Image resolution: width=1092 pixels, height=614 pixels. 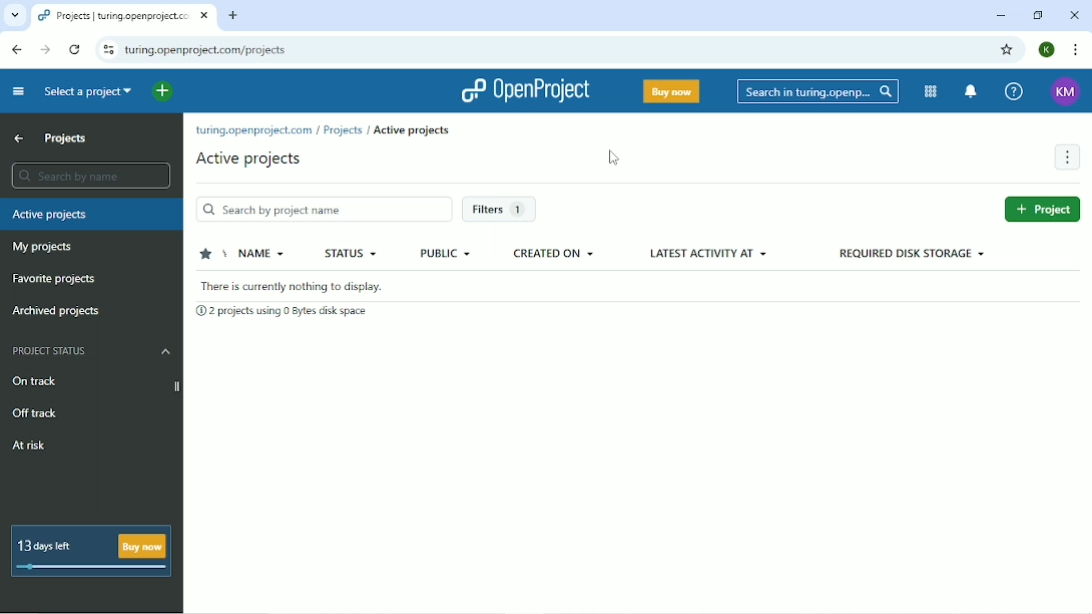 What do you see at coordinates (912, 254) in the screenshot?
I see `Required disk storage` at bounding box center [912, 254].